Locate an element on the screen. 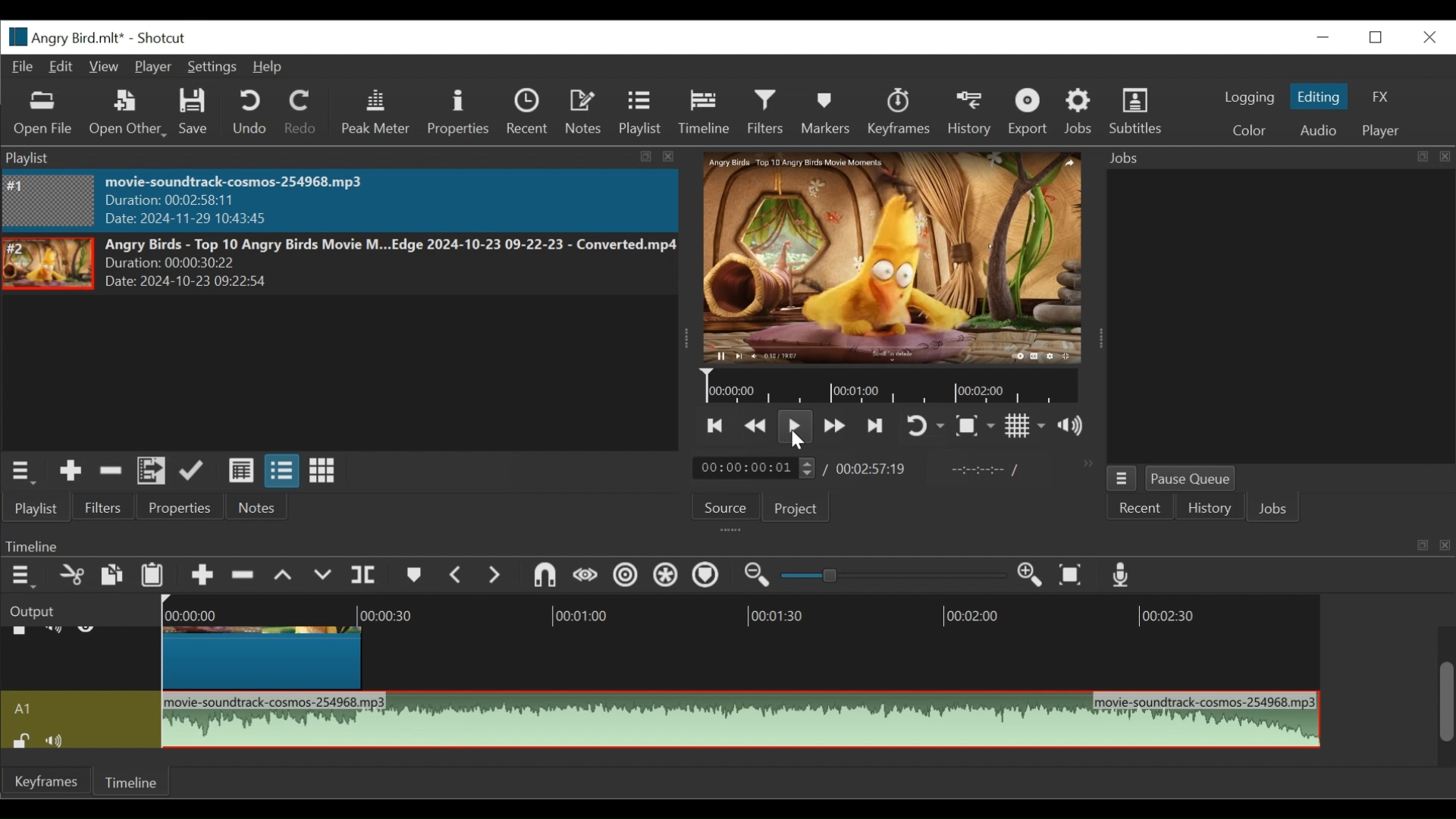  Jobs is located at coordinates (1276, 508).